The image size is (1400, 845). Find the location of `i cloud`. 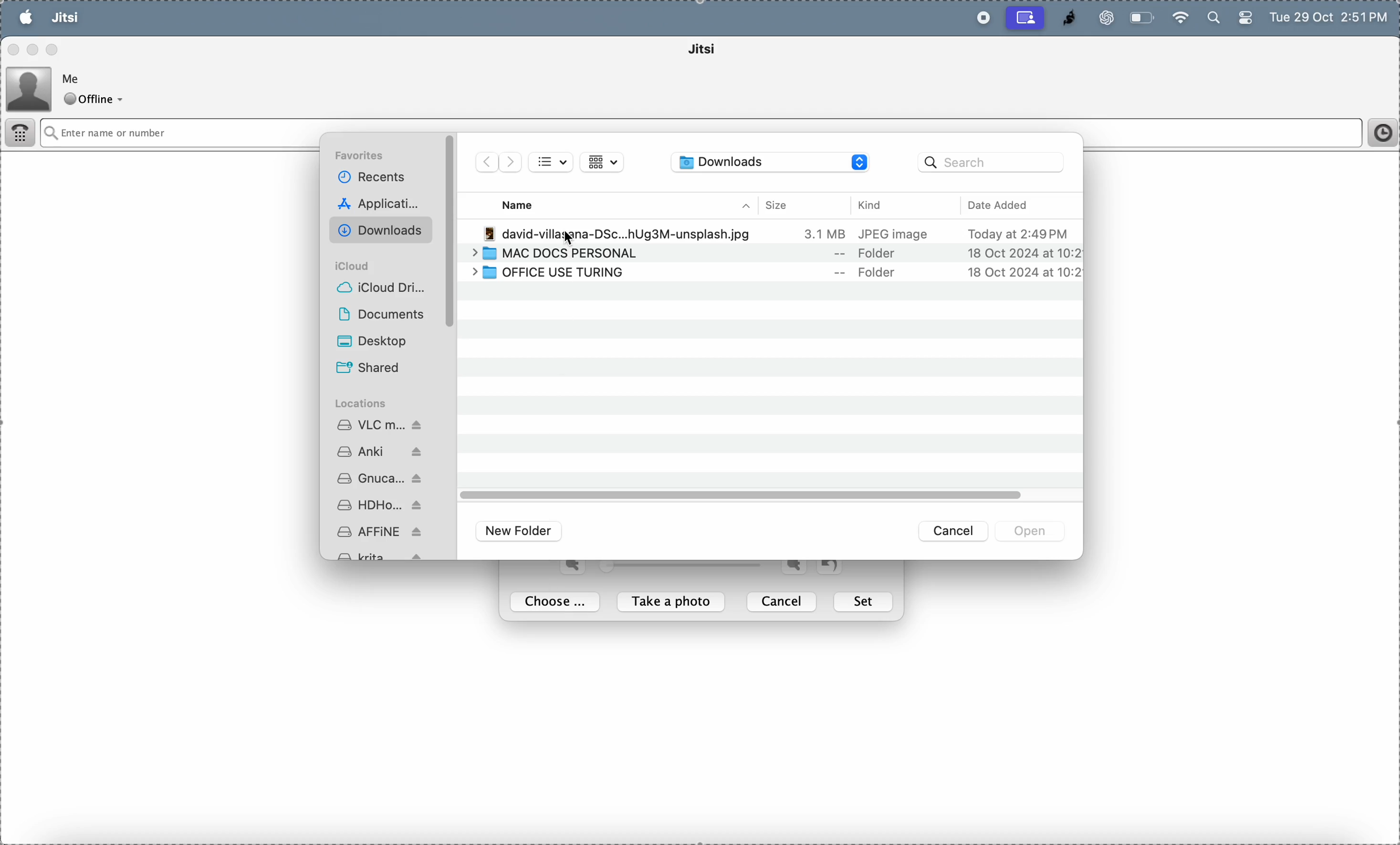

i cloud is located at coordinates (359, 265).